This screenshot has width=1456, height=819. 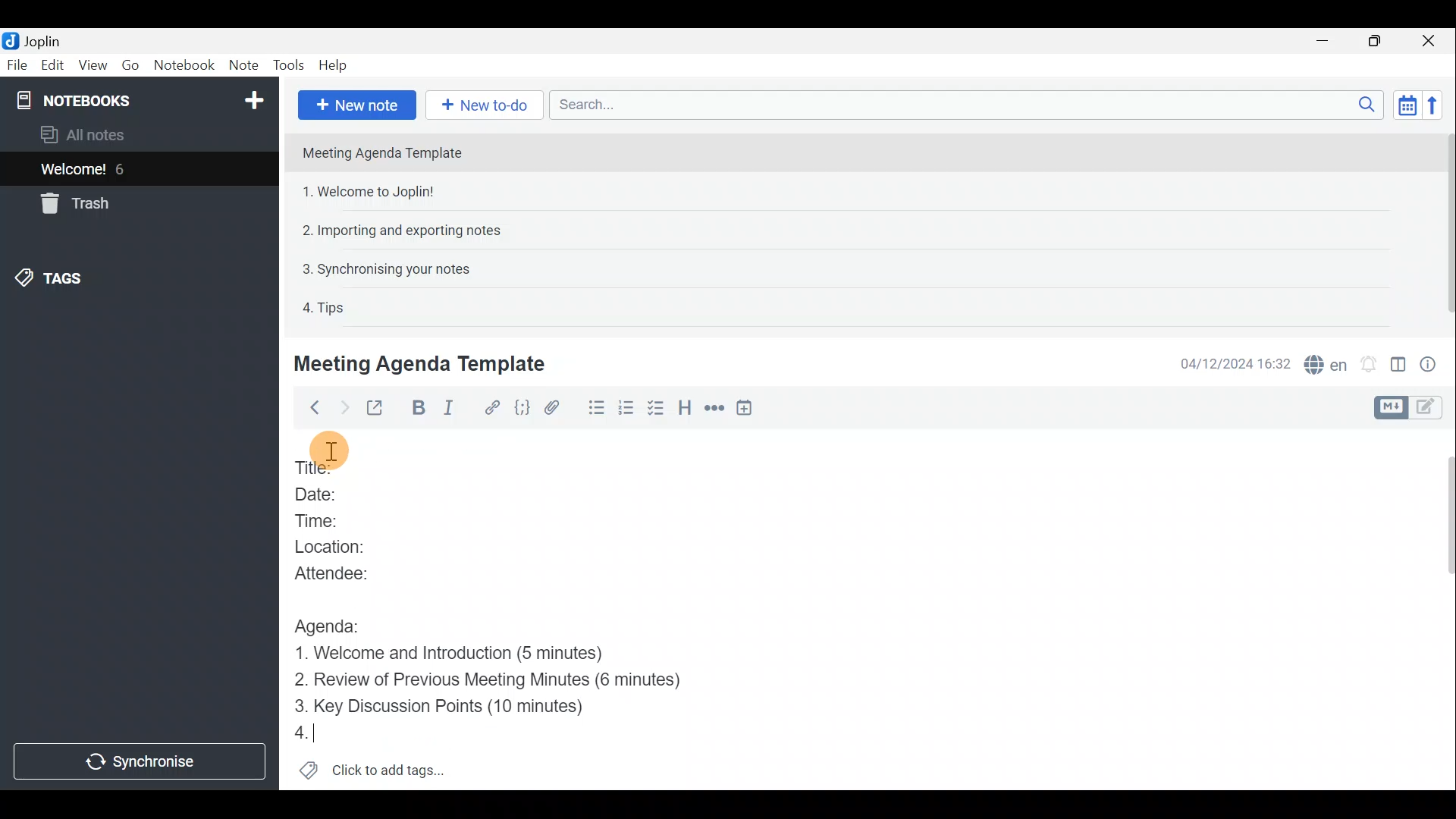 I want to click on Meeting Agenda Template, so click(x=422, y=363).